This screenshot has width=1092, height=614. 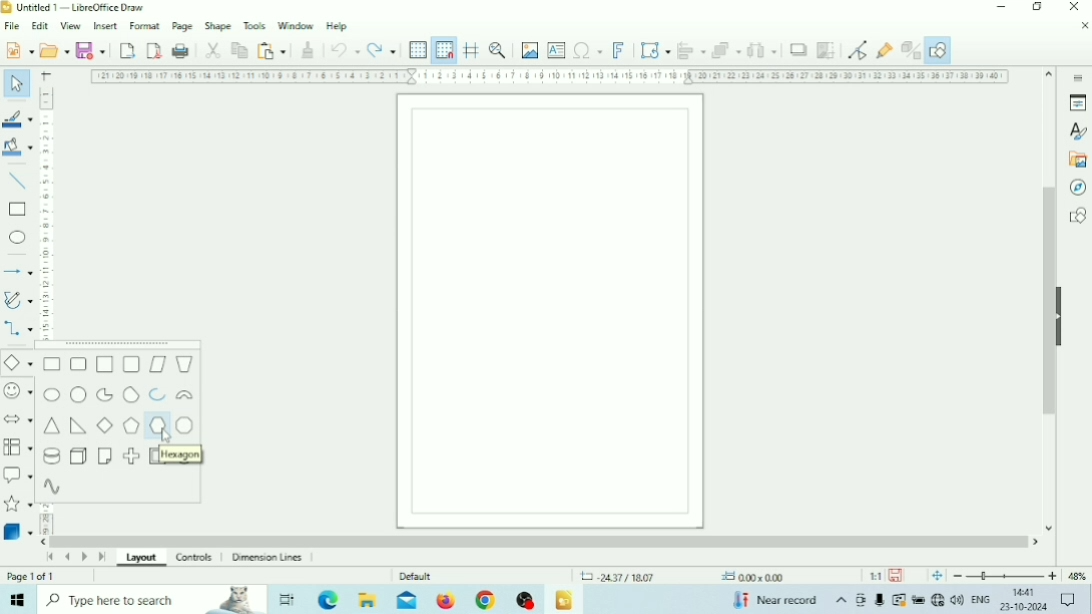 I want to click on Arc, so click(x=158, y=395).